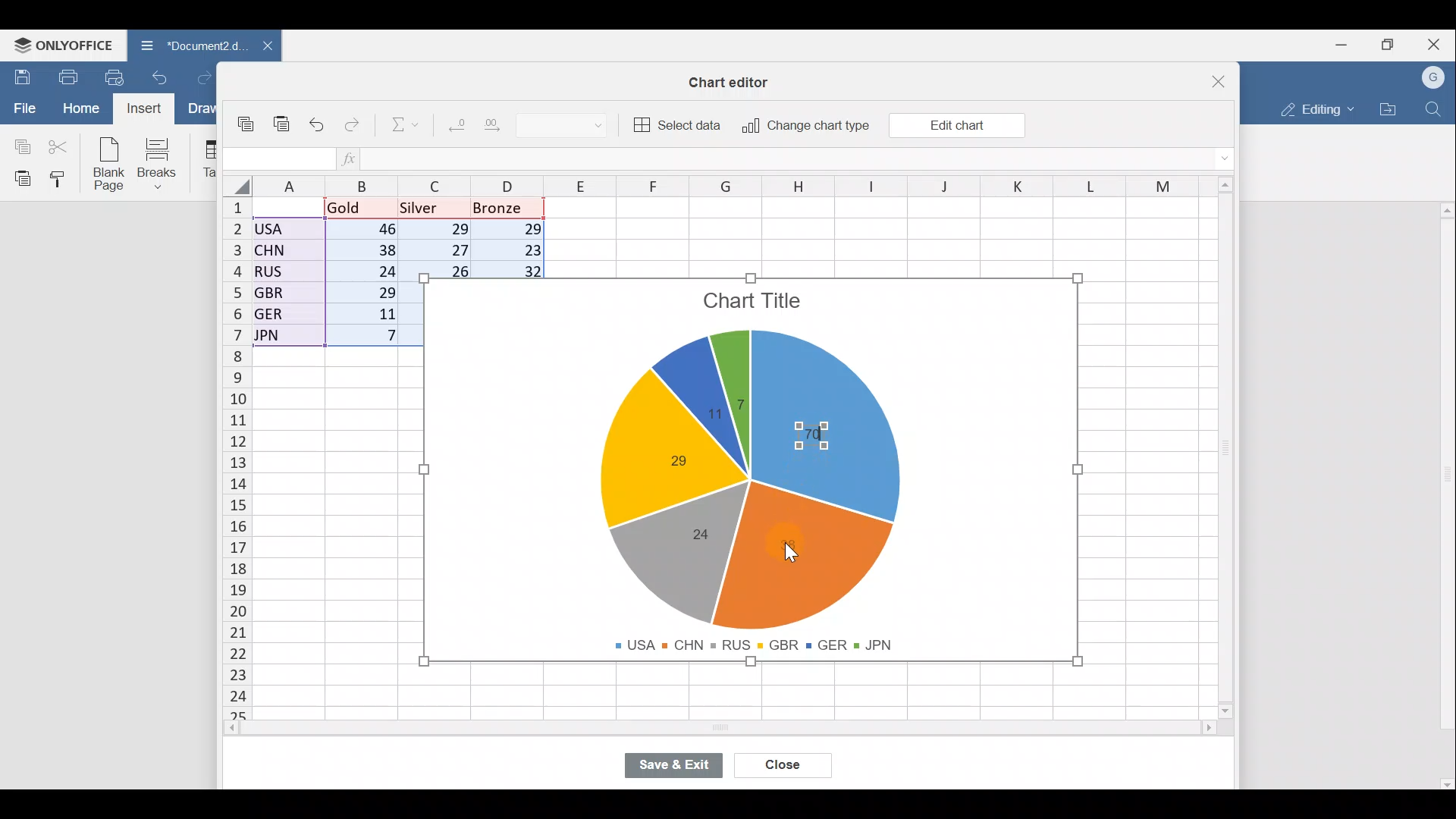 The width and height of the screenshot is (1456, 819). What do you see at coordinates (237, 449) in the screenshot?
I see `Rows` at bounding box center [237, 449].